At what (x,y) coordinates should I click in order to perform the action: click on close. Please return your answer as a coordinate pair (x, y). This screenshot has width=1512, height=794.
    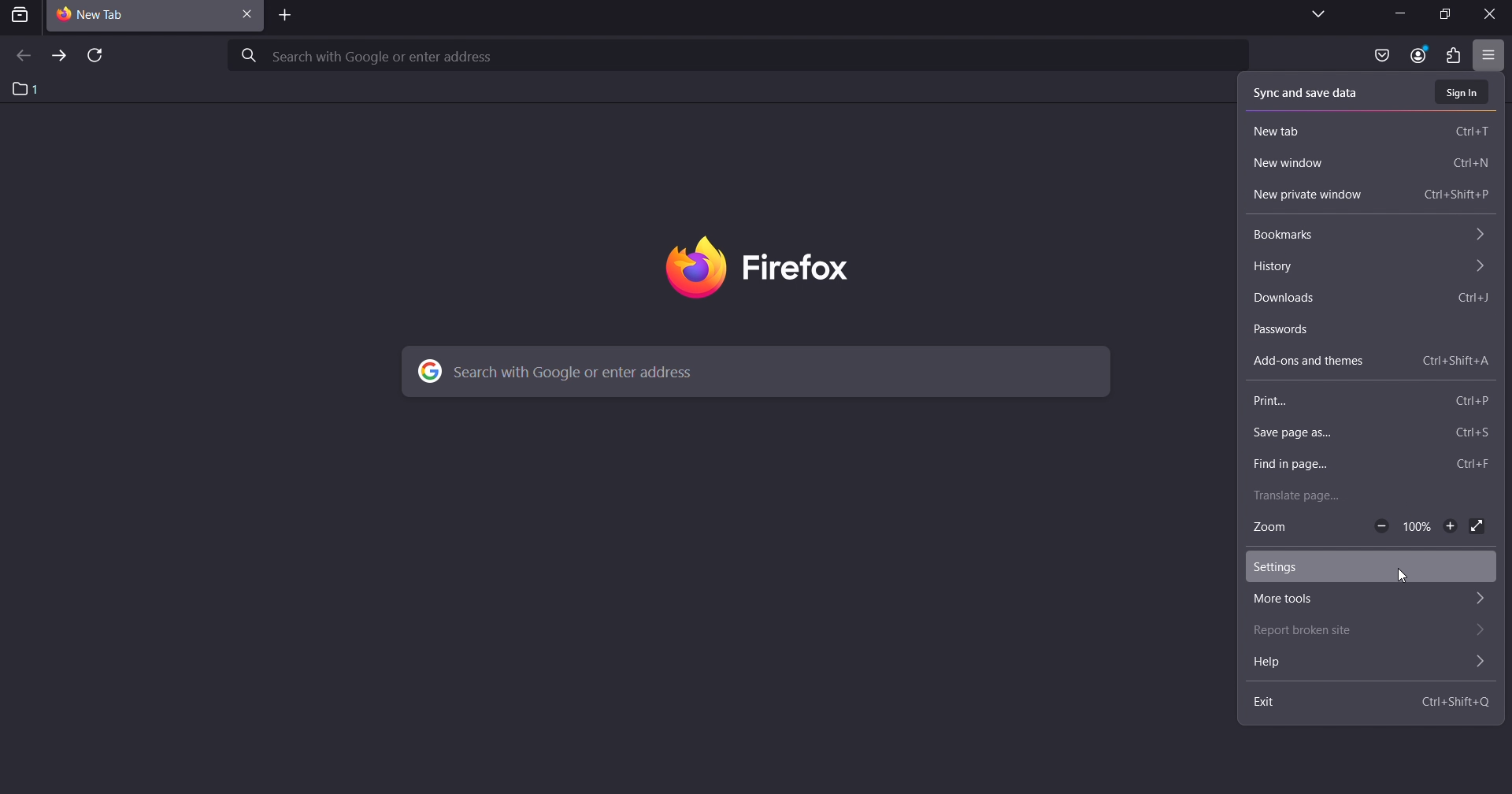
    Looking at the image, I should click on (247, 13).